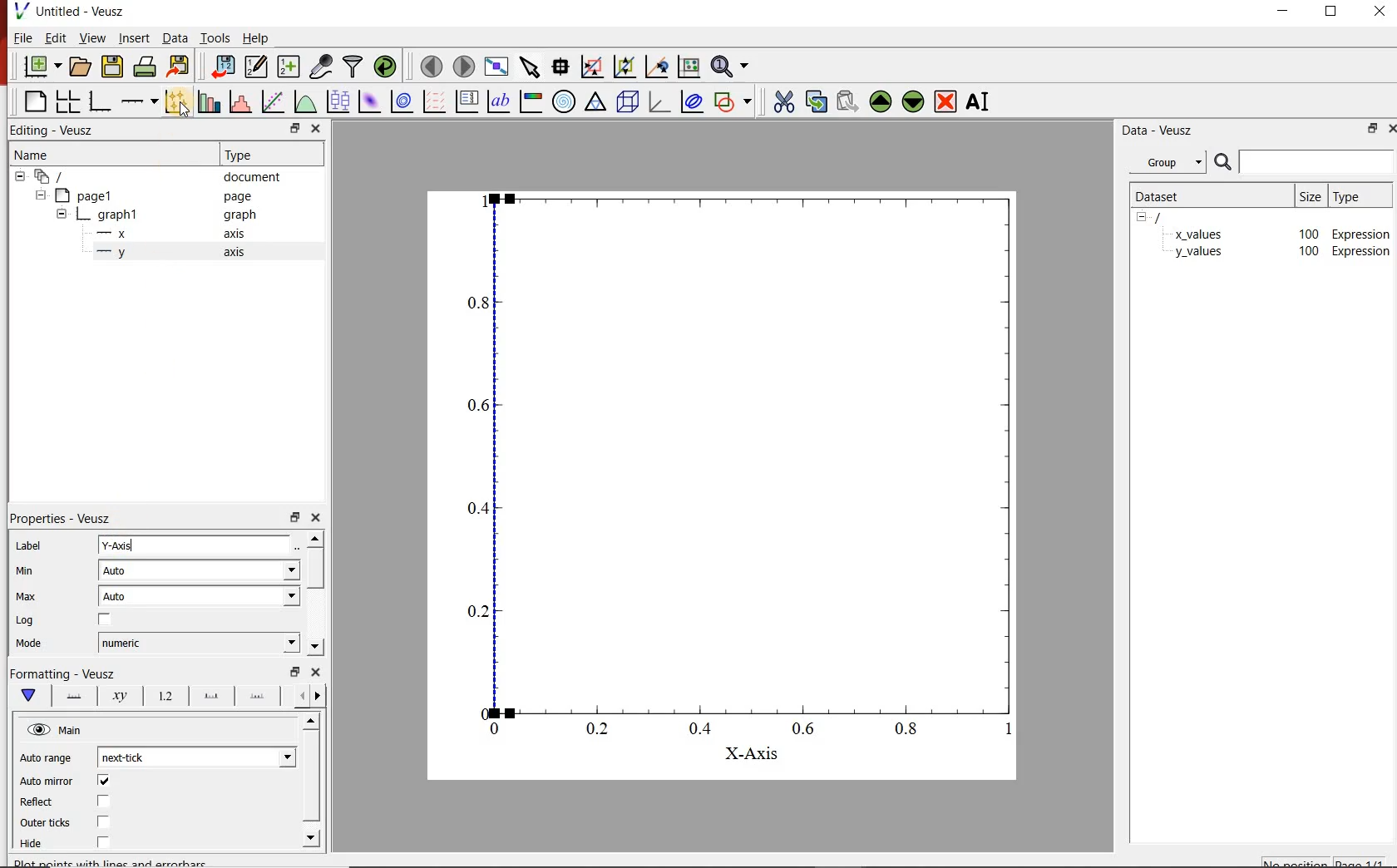 The height and width of the screenshot is (868, 1397). Describe the element at coordinates (42, 65) in the screenshot. I see `new document` at that location.